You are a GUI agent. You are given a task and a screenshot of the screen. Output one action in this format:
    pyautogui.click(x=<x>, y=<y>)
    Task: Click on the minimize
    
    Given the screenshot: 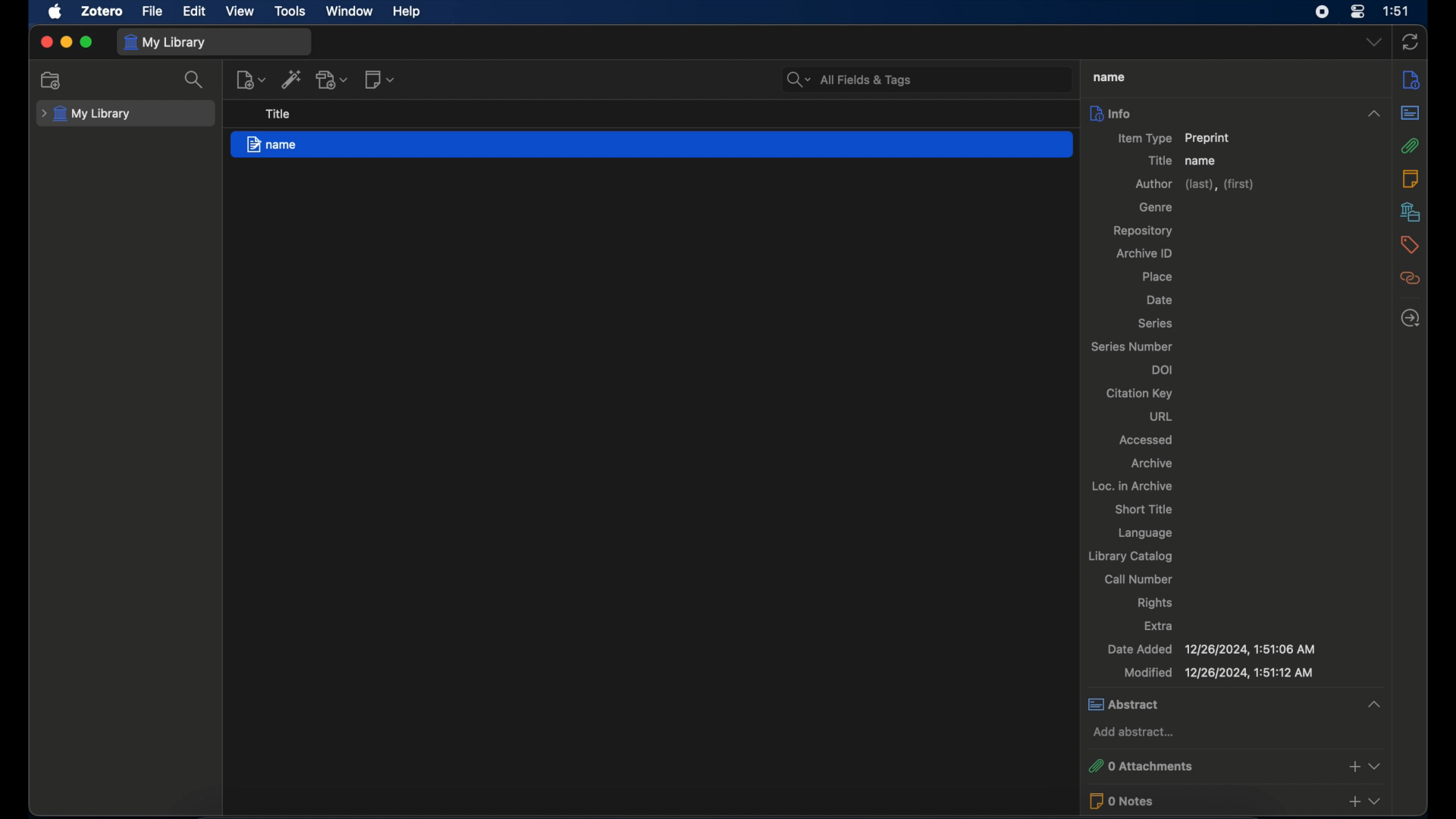 What is the action you would take?
    pyautogui.click(x=65, y=42)
    